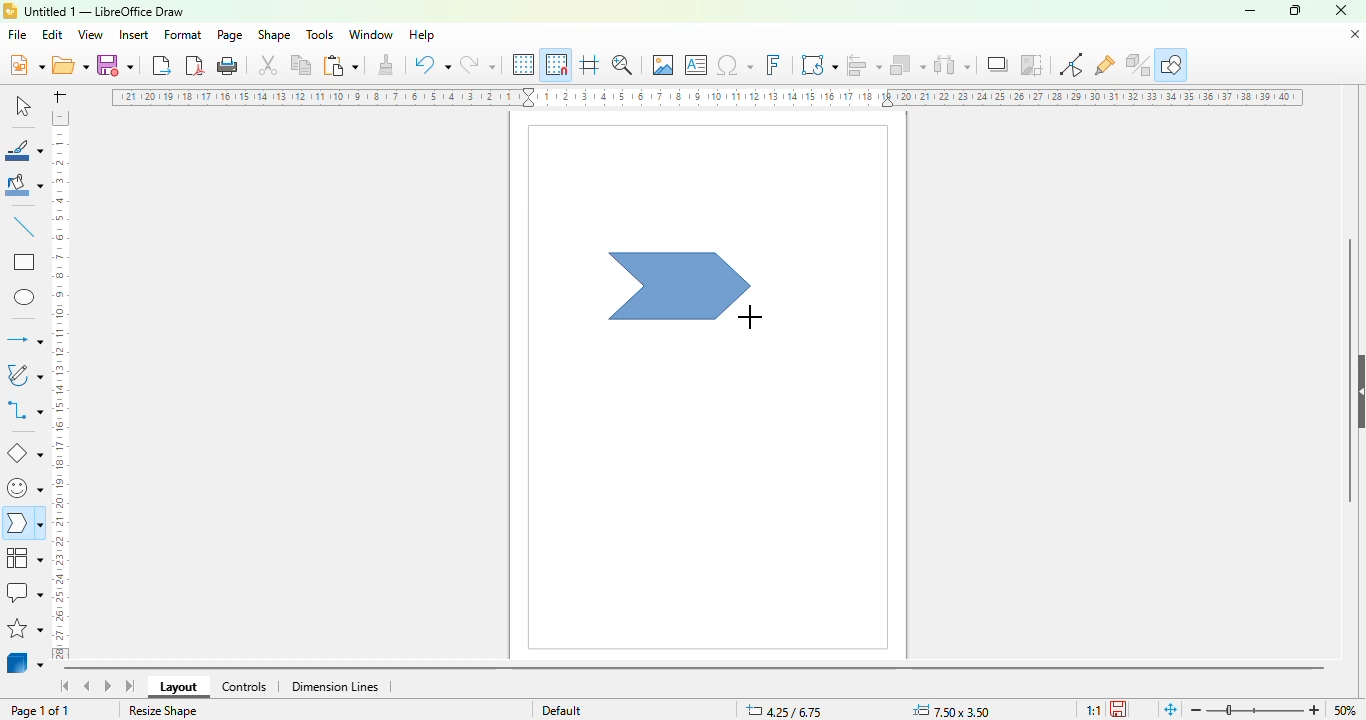  I want to click on chevron arrow, so click(680, 287).